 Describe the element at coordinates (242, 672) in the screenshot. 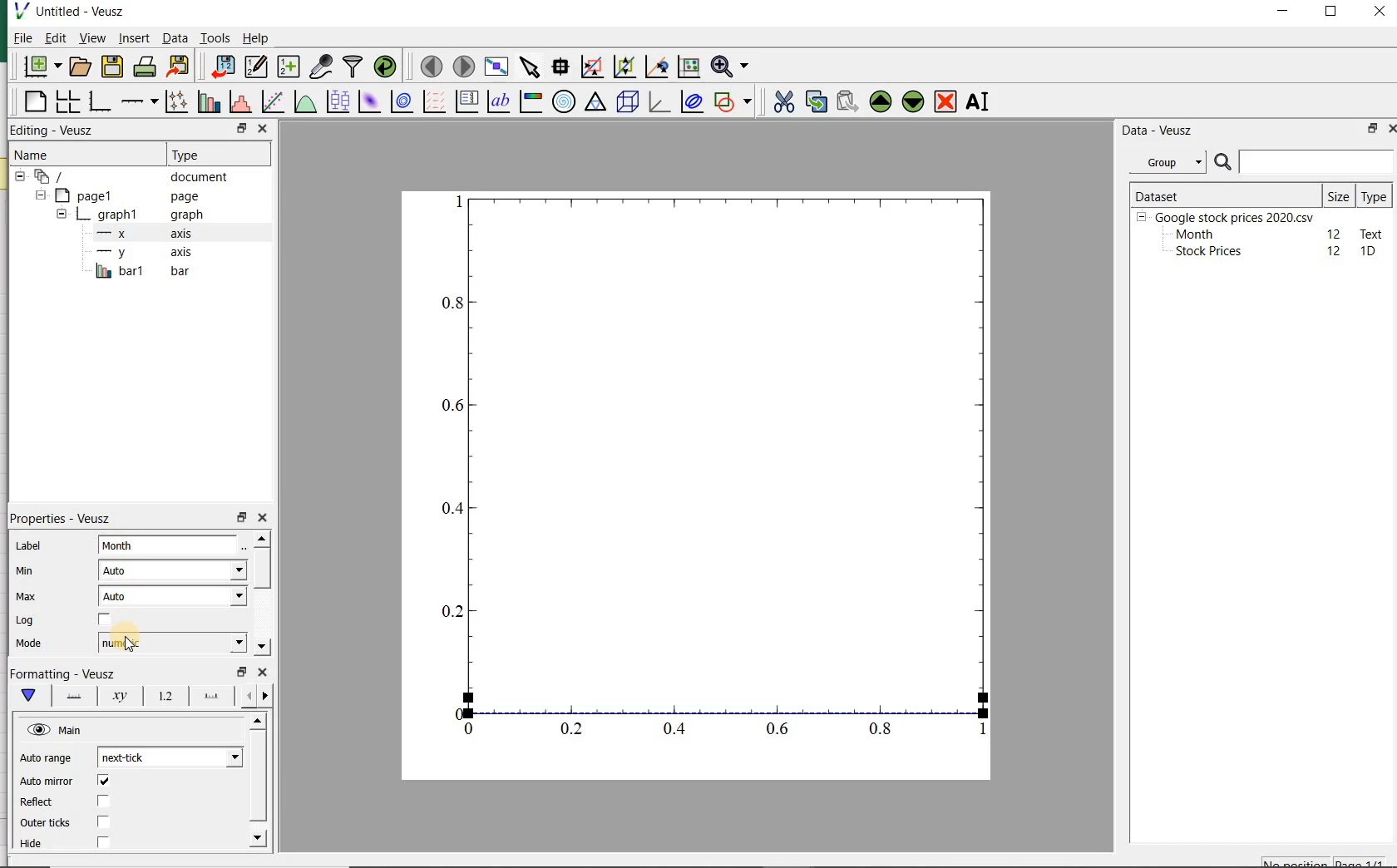

I see `restore` at that location.